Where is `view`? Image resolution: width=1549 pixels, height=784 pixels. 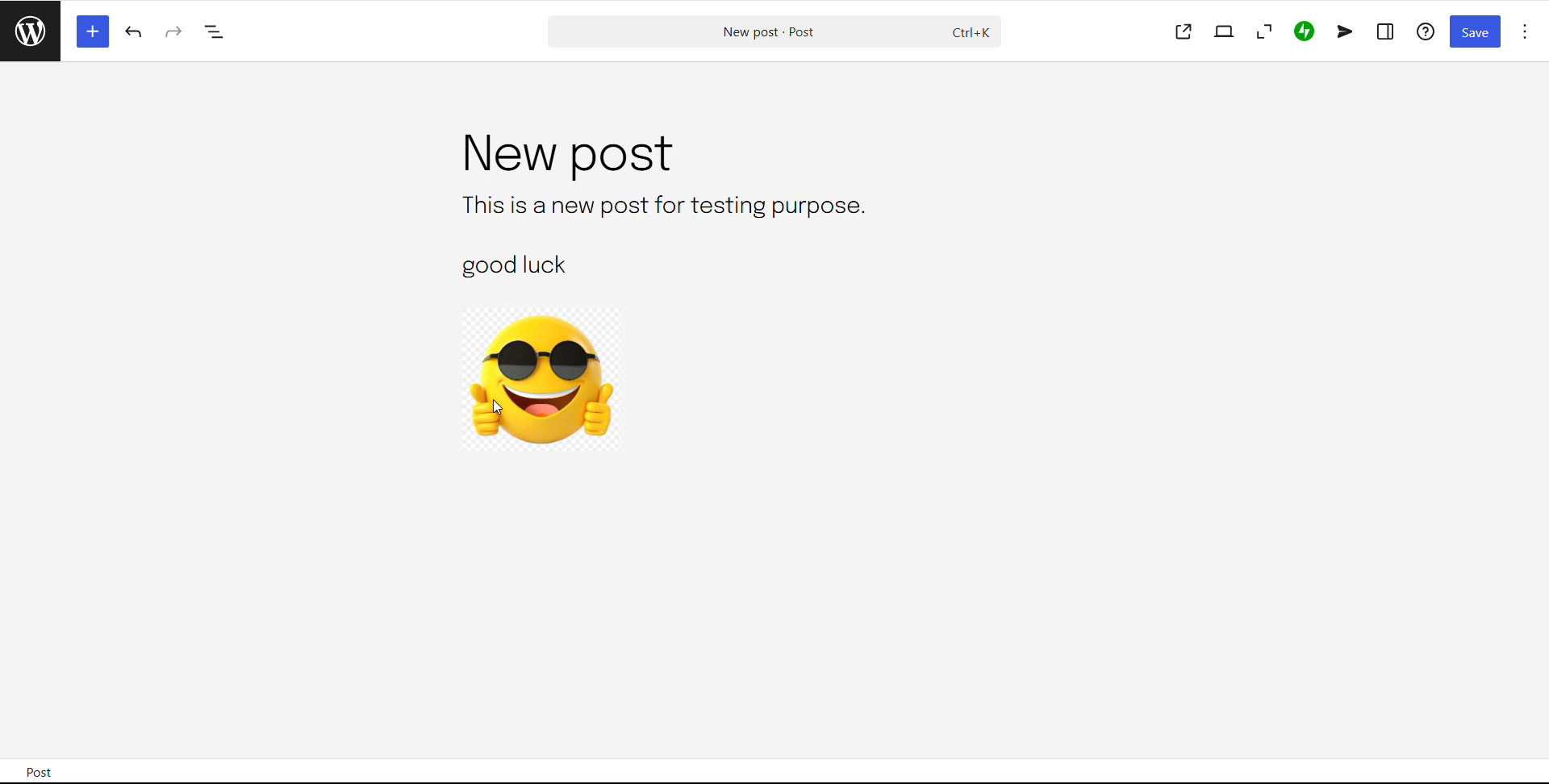
view is located at coordinates (1224, 31).